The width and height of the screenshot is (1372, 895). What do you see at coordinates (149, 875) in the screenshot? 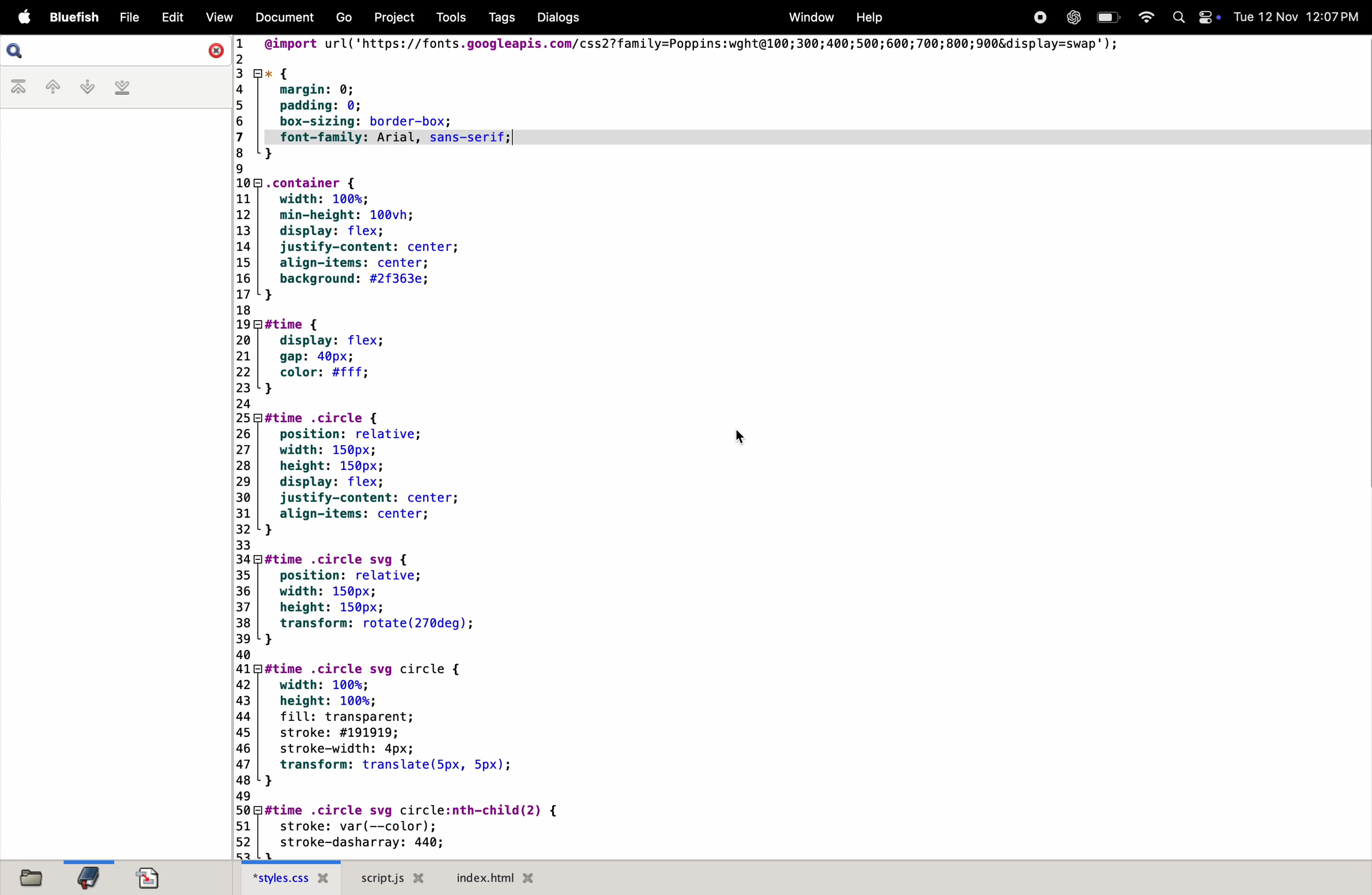
I see `open document` at bounding box center [149, 875].